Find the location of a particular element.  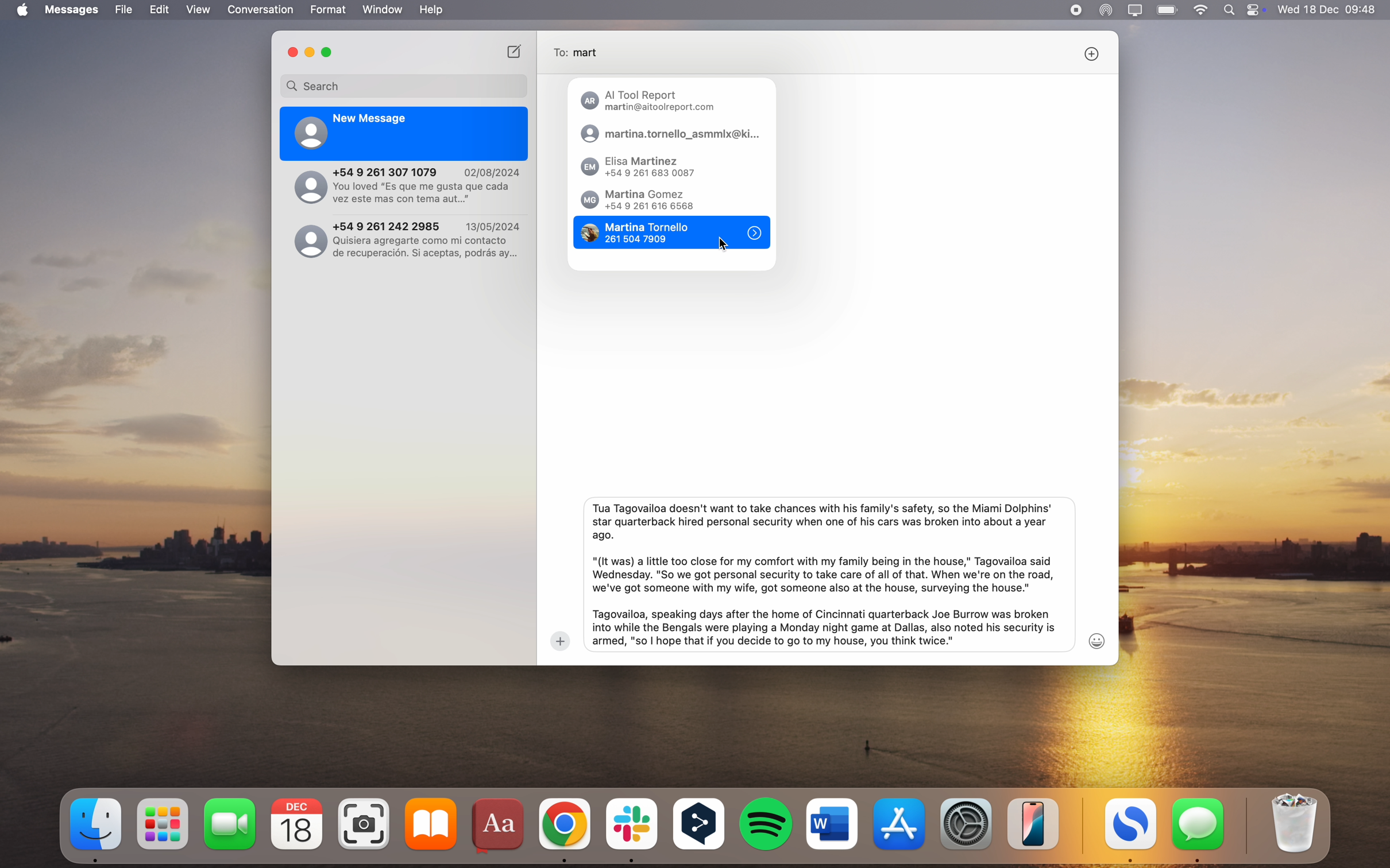

Slack is located at coordinates (631, 830).